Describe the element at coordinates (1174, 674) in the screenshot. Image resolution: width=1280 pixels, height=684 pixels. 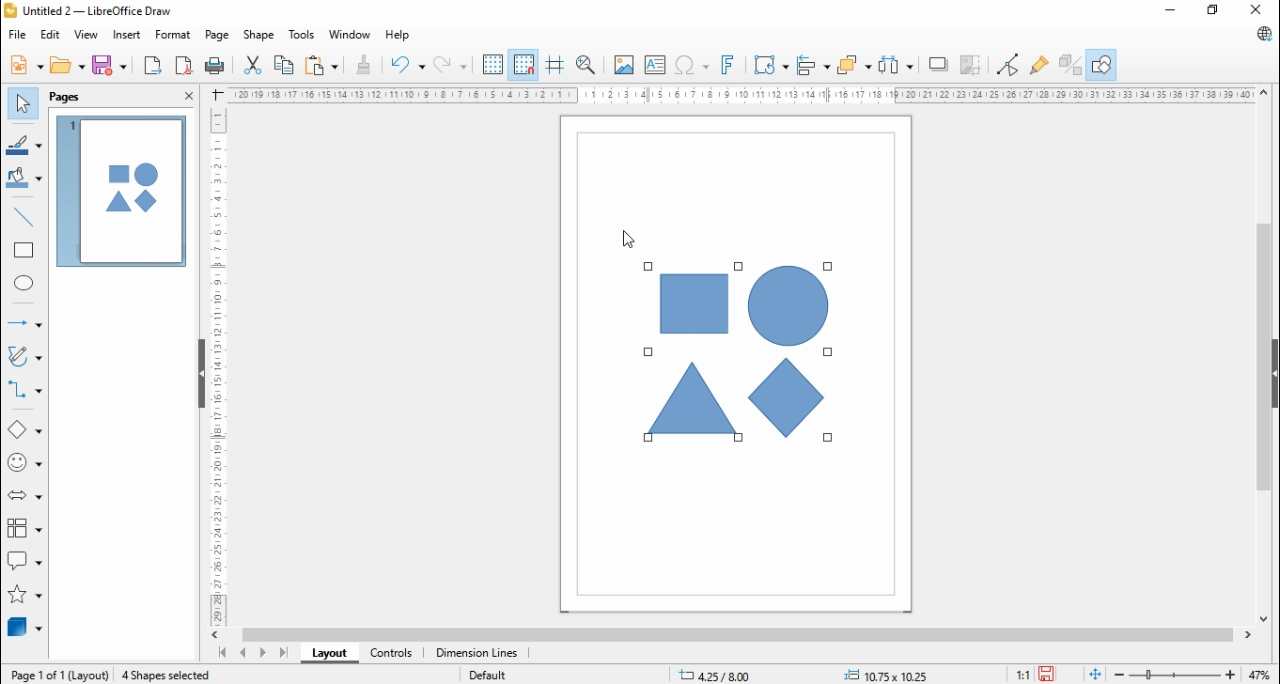
I see `zoom in/zoom out slider` at that location.